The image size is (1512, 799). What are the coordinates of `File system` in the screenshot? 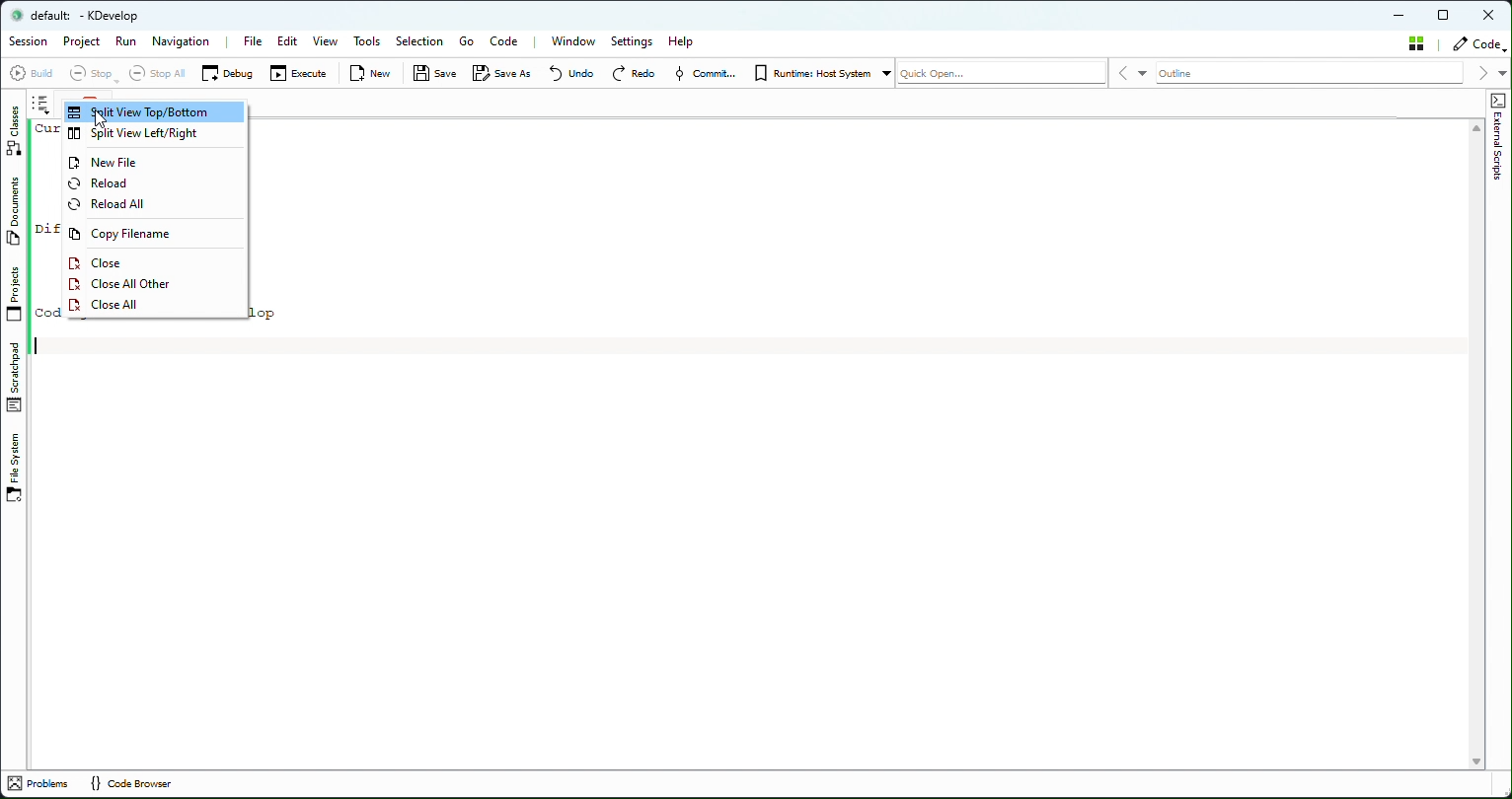 It's located at (14, 470).